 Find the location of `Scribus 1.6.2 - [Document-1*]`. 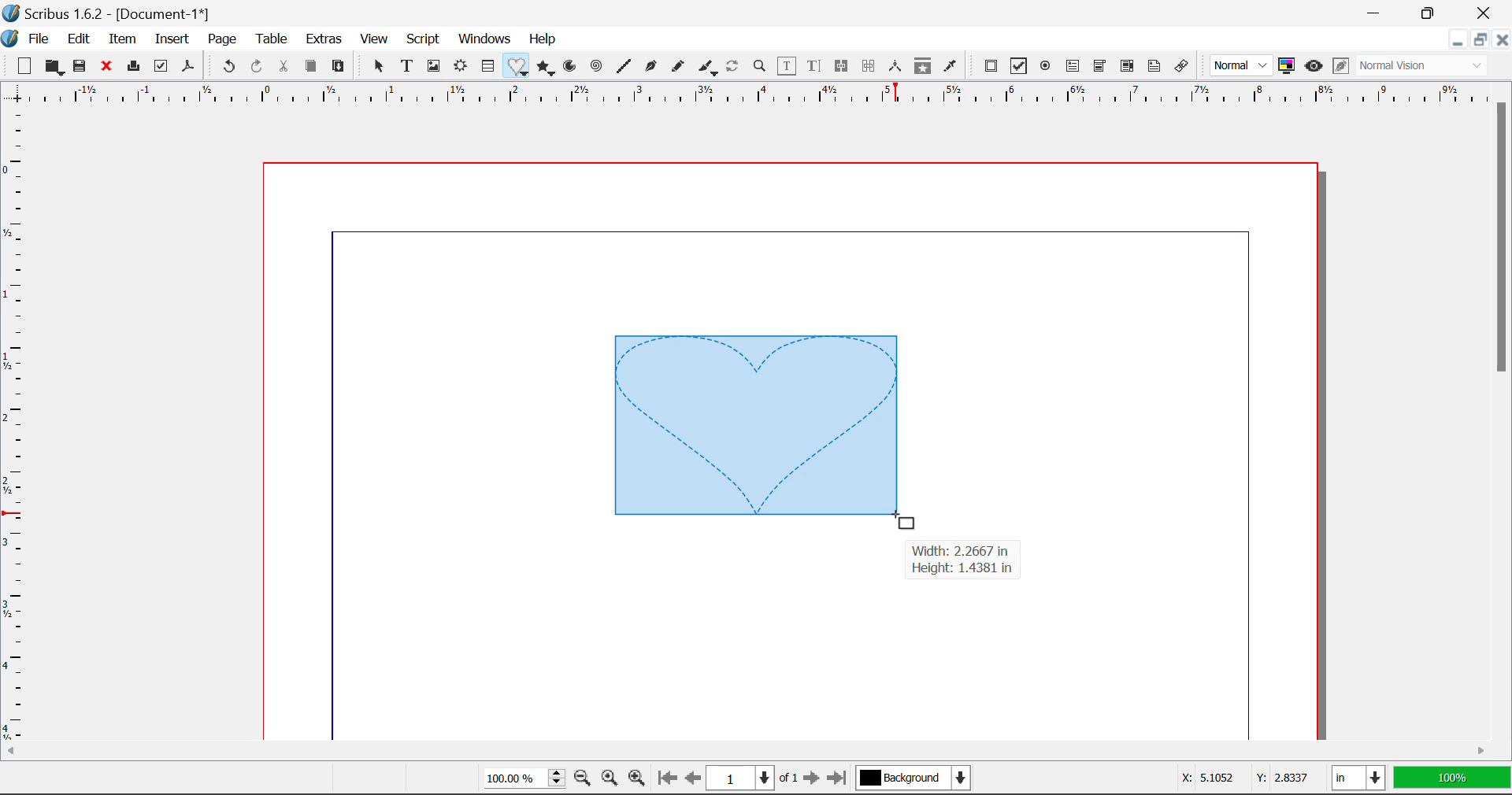

Scribus 1.6.2 - [Document-1*] is located at coordinates (110, 13).